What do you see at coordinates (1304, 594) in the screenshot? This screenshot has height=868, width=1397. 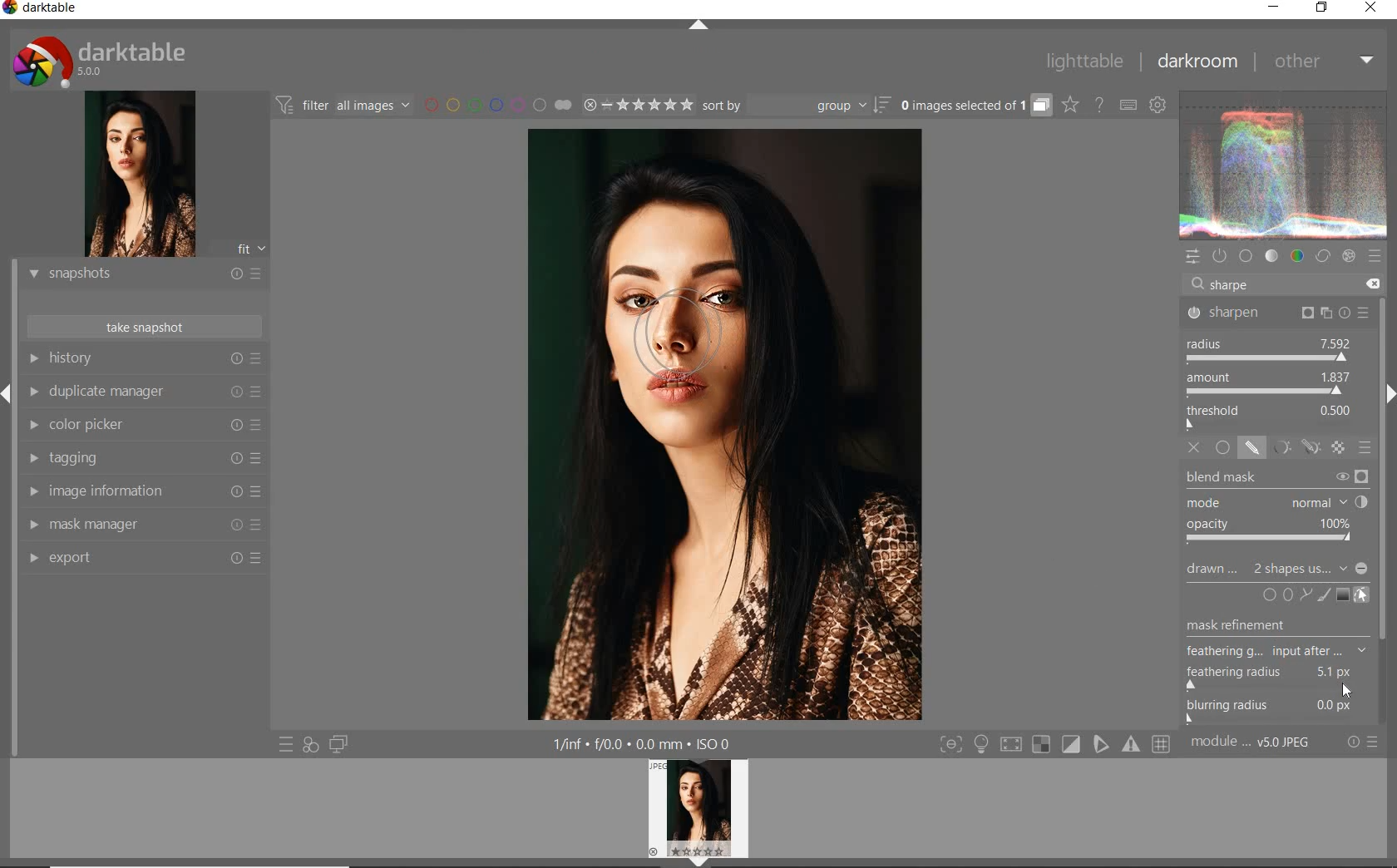 I see `ADD PATH` at bounding box center [1304, 594].